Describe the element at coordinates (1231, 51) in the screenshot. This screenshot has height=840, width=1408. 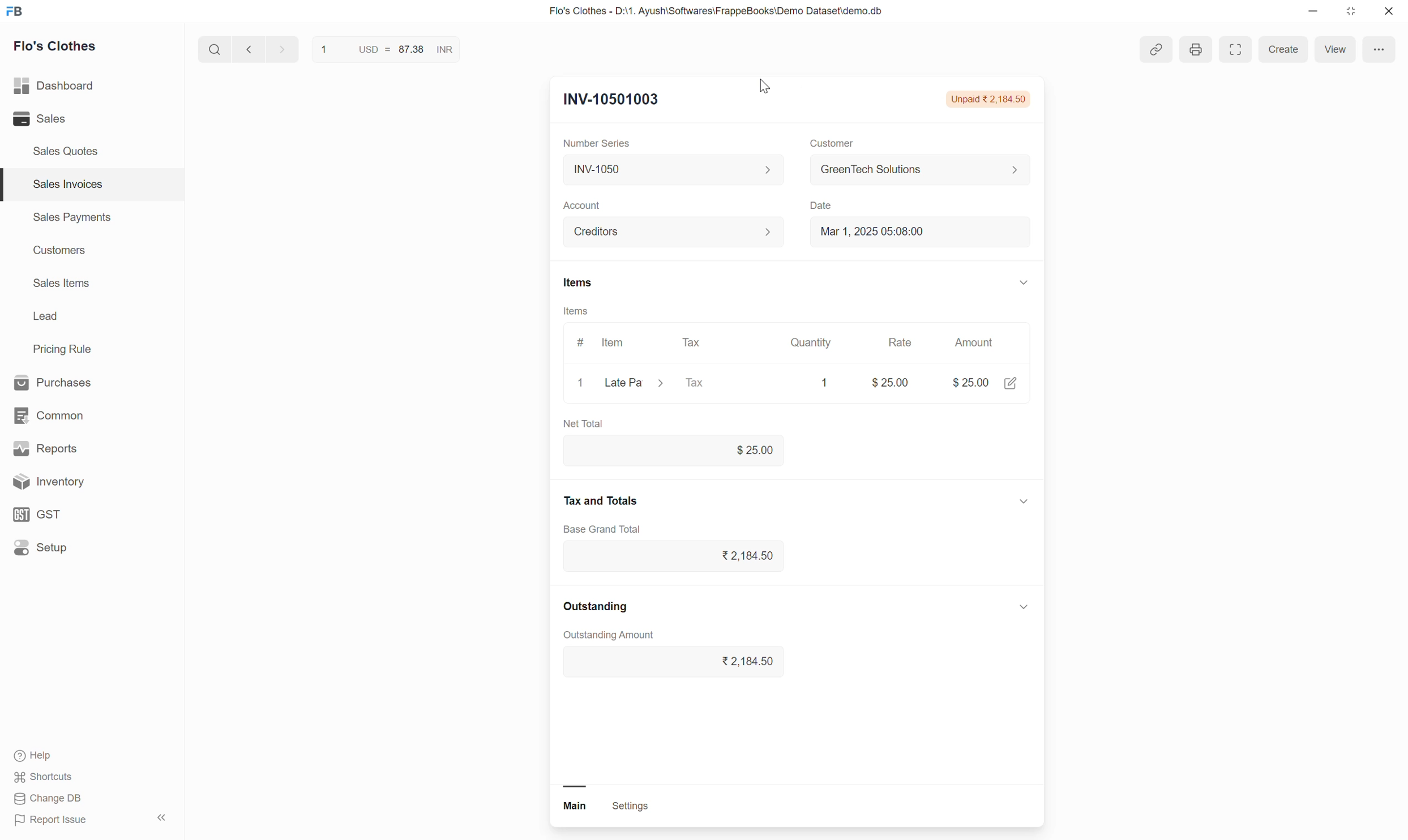
I see `full screen` at that location.